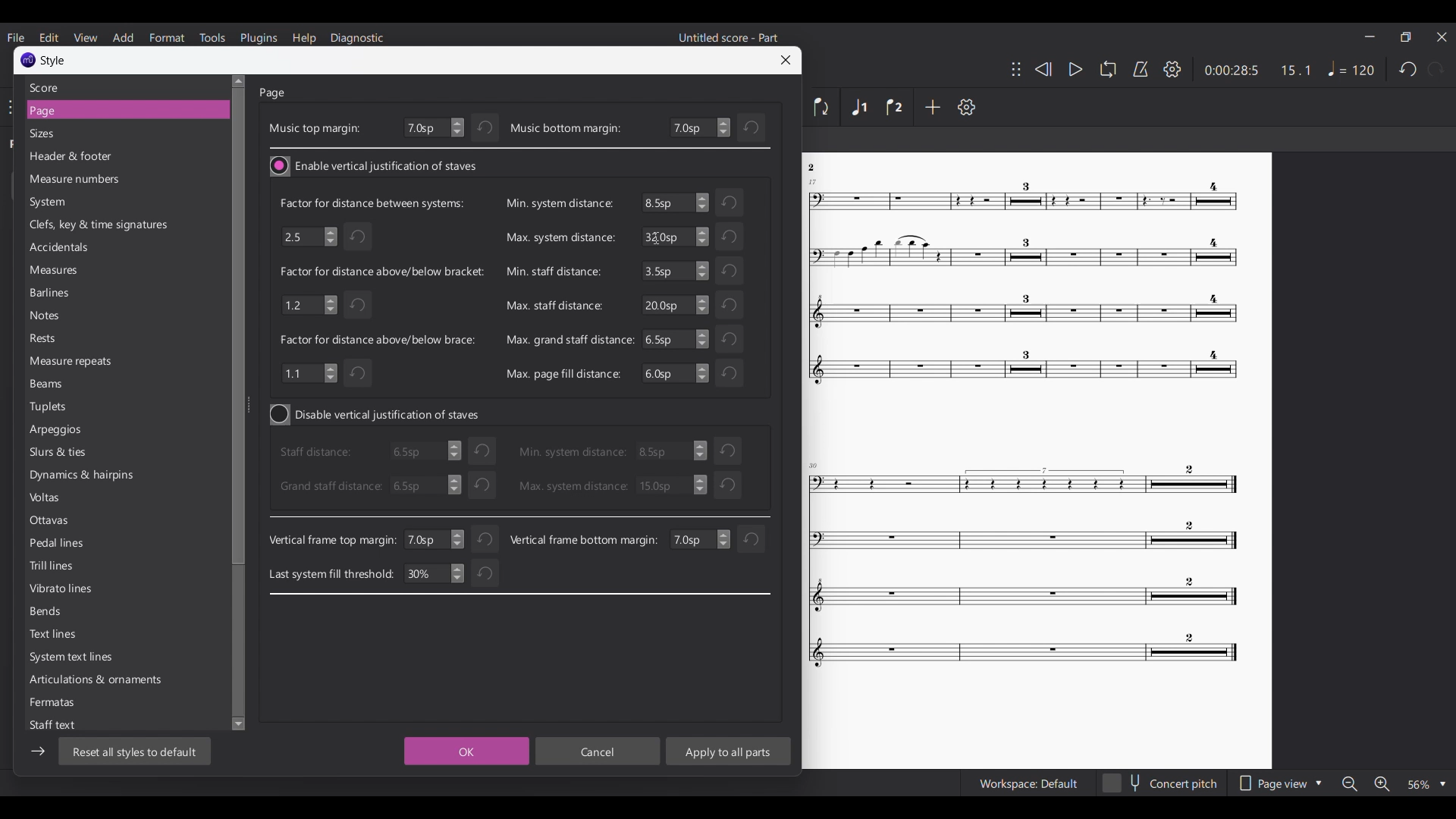  I want to click on Window title, so click(41, 60).